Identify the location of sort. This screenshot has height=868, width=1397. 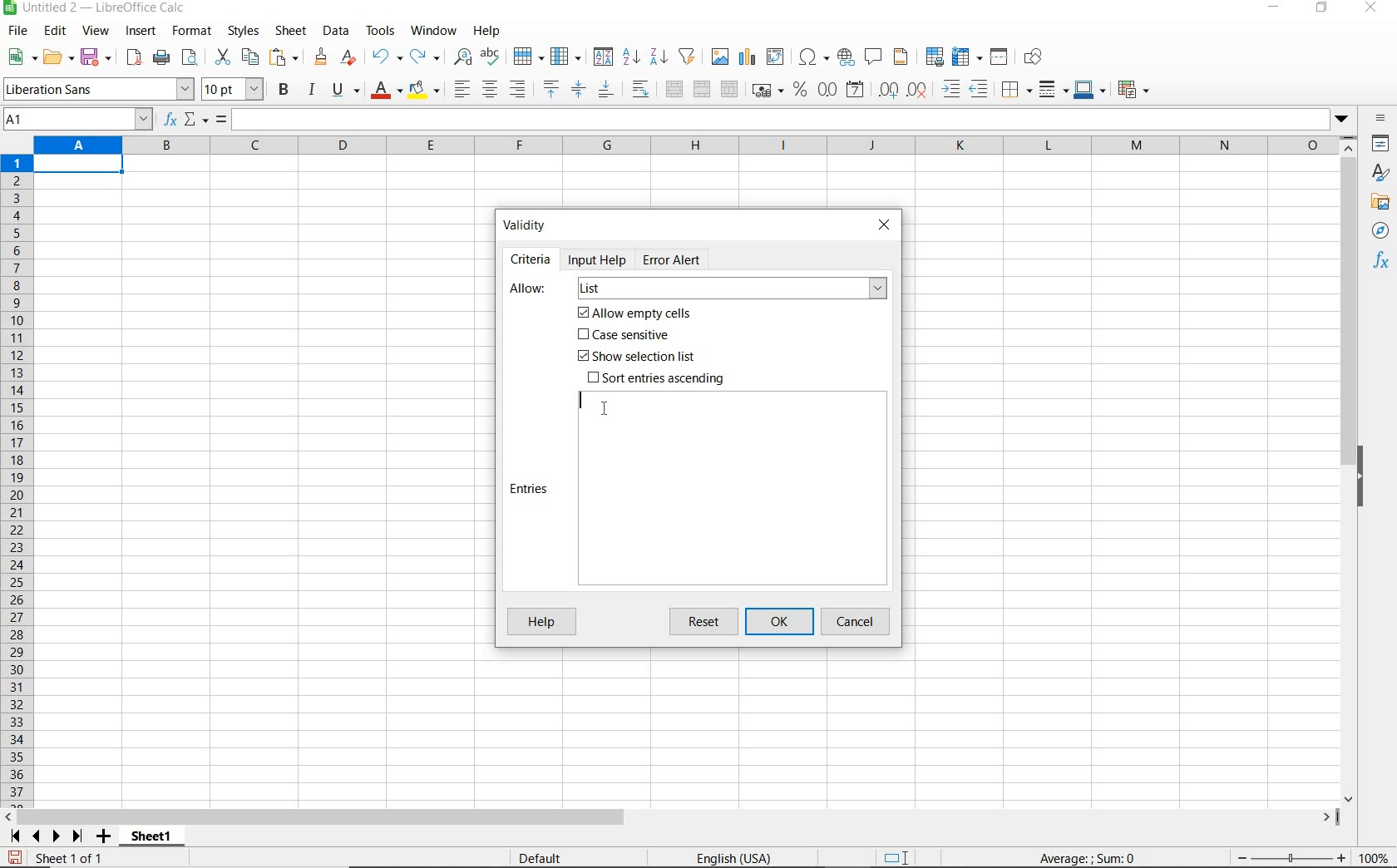
(603, 58).